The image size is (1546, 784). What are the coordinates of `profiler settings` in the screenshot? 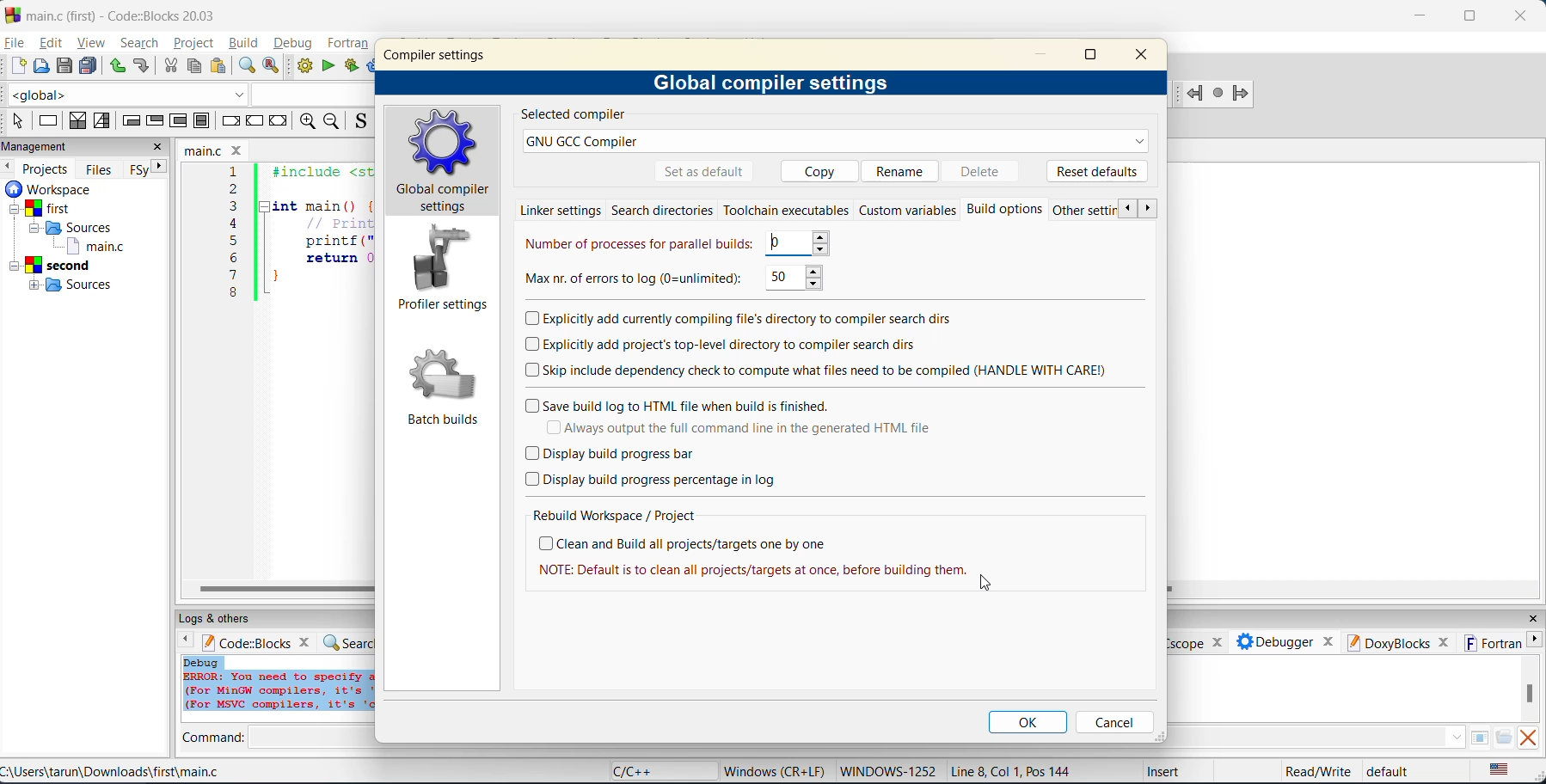 It's located at (442, 271).